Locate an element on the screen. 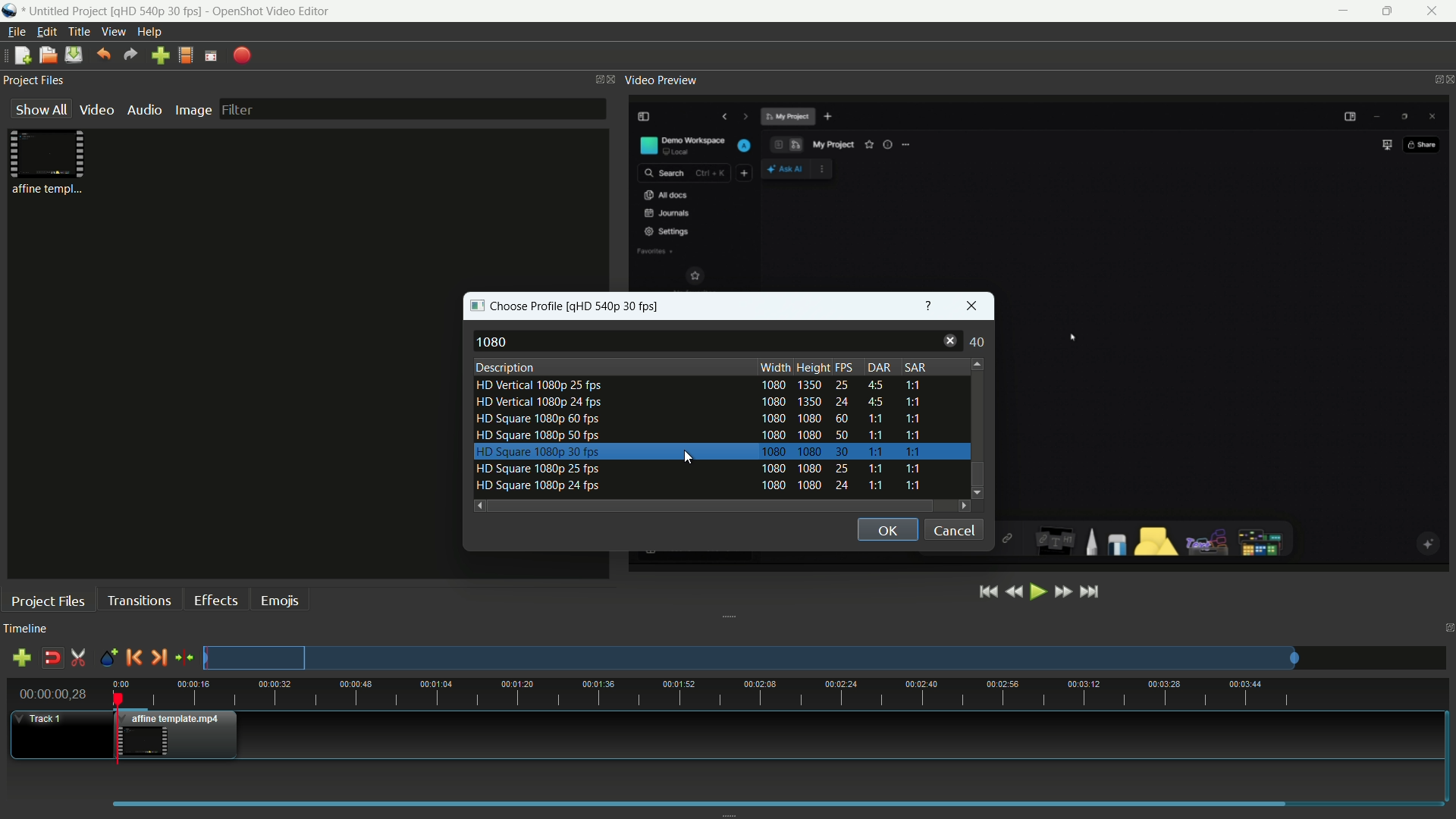 The image size is (1456, 819). project name is located at coordinates (66, 11).